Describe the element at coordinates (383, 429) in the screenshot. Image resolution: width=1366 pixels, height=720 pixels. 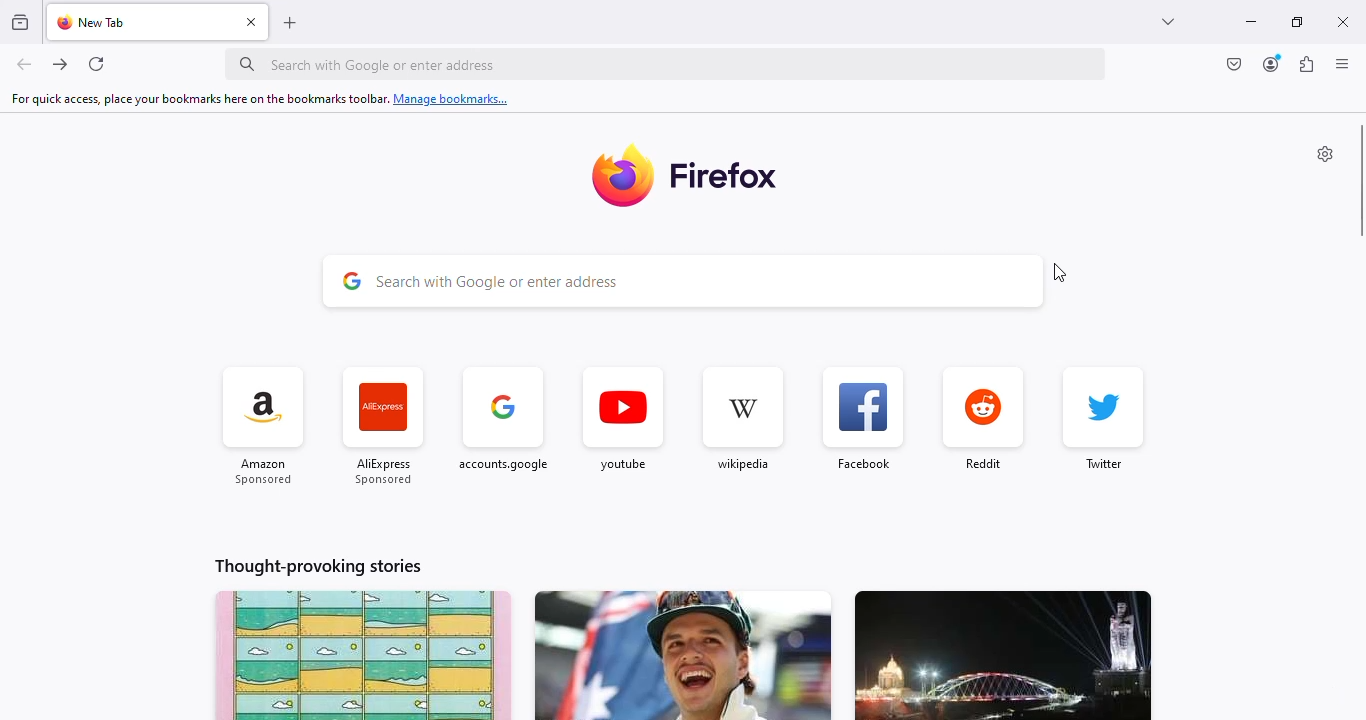
I see `AliExpress` at that location.